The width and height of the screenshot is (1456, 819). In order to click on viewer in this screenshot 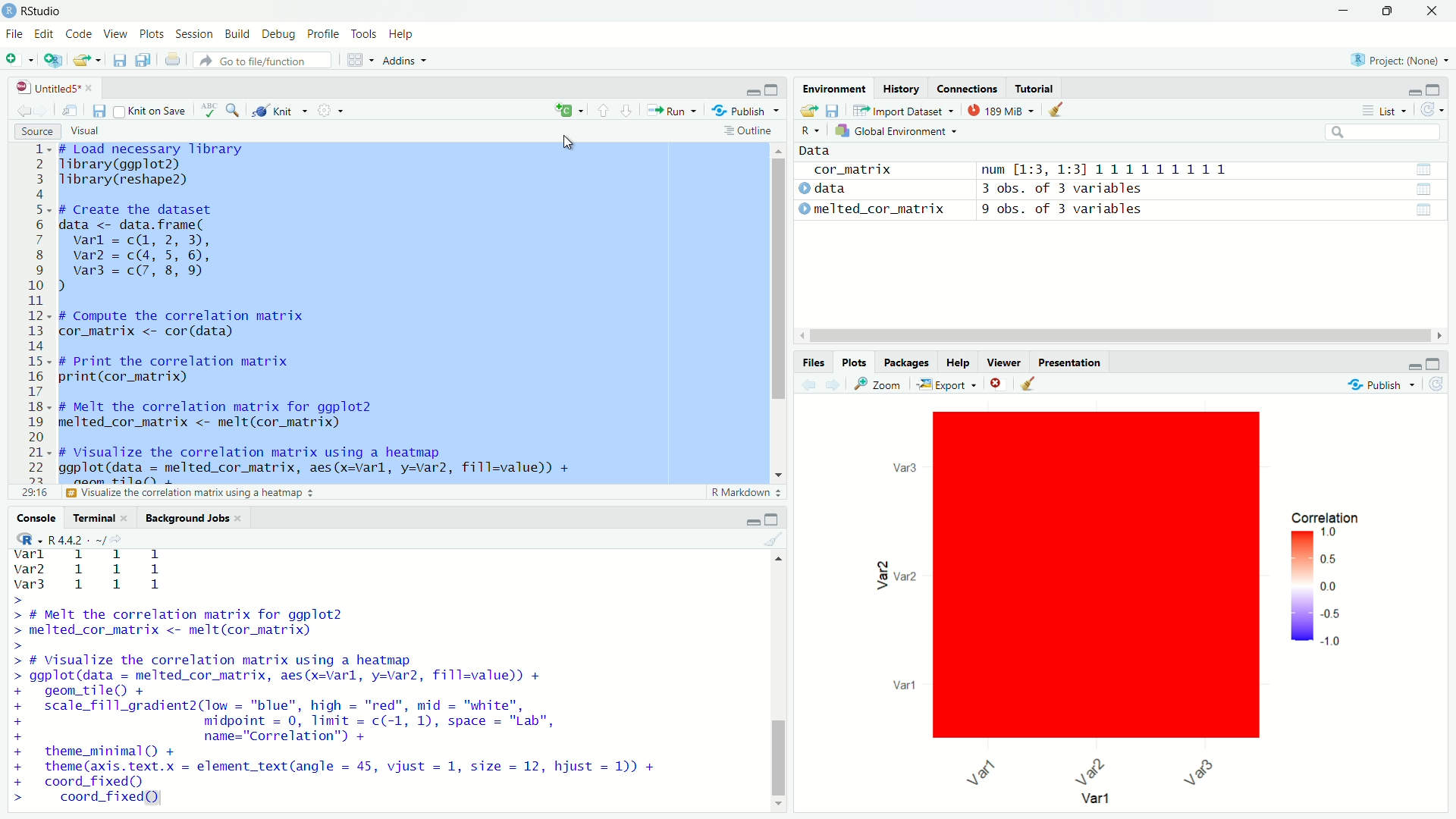, I will do `click(1003, 362)`.